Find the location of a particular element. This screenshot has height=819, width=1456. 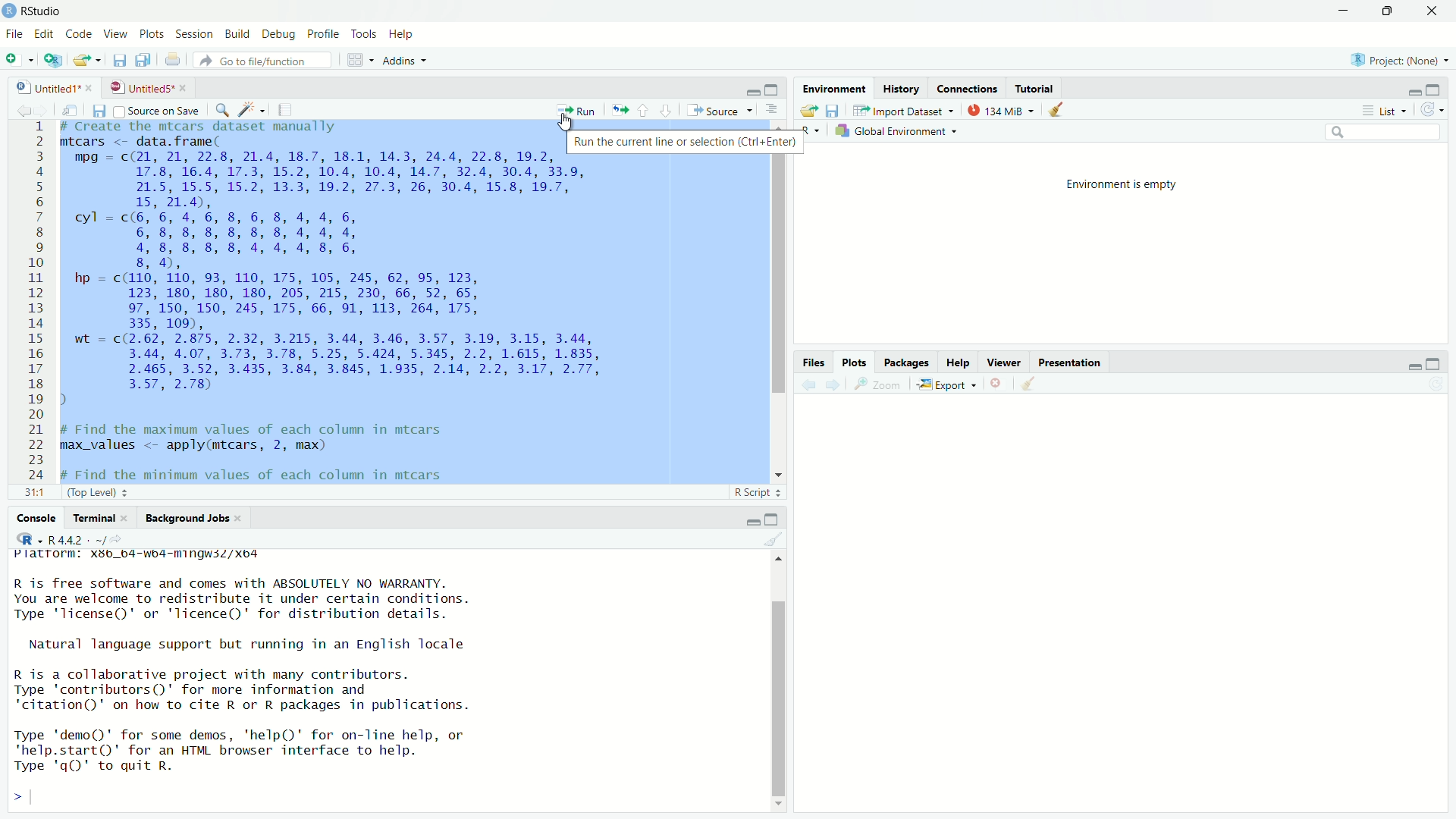

Background Jobs is located at coordinates (186, 519).